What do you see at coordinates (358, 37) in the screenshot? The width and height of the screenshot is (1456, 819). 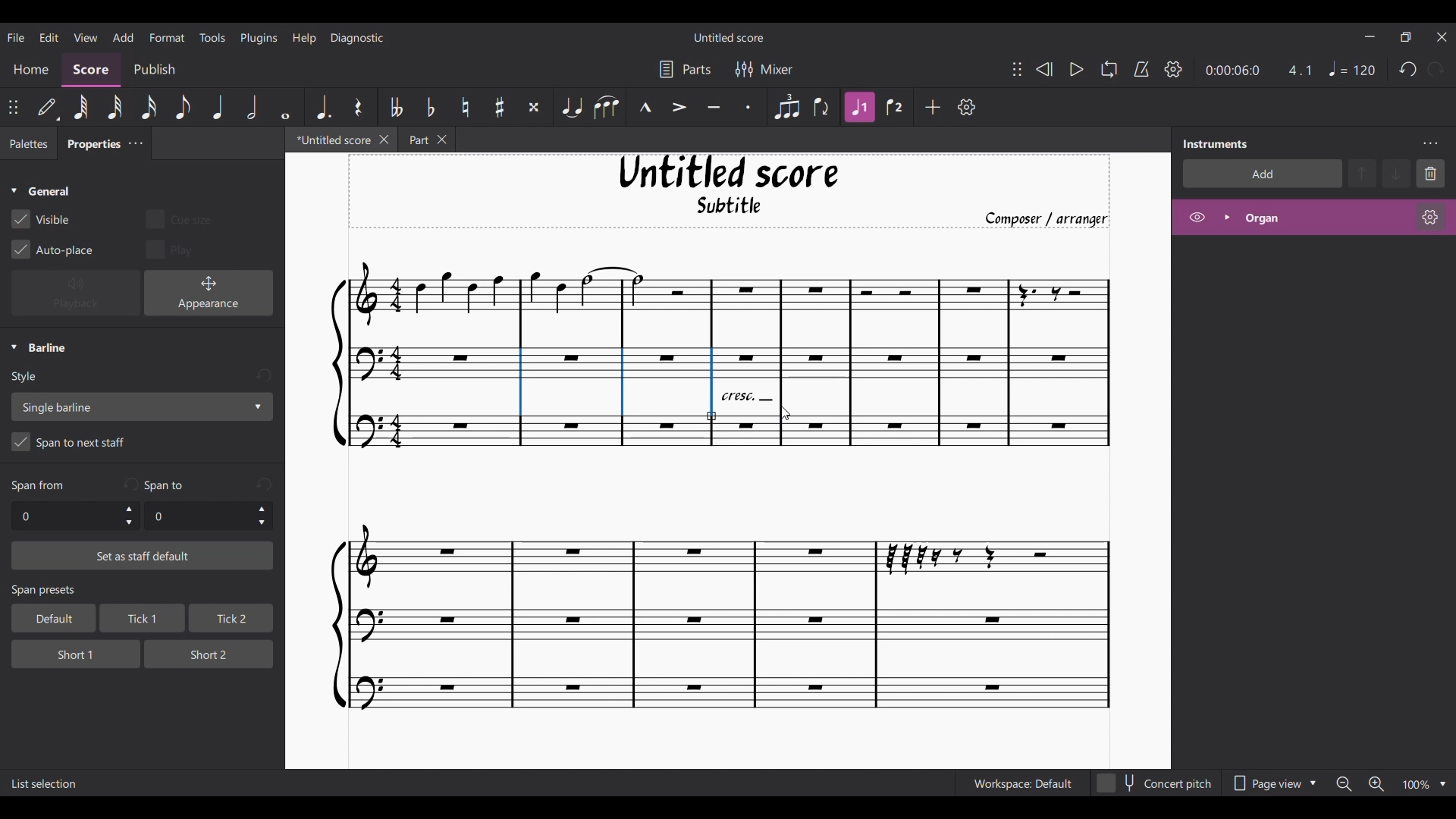 I see `Diagnostic menu` at bounding box center [358, 37].